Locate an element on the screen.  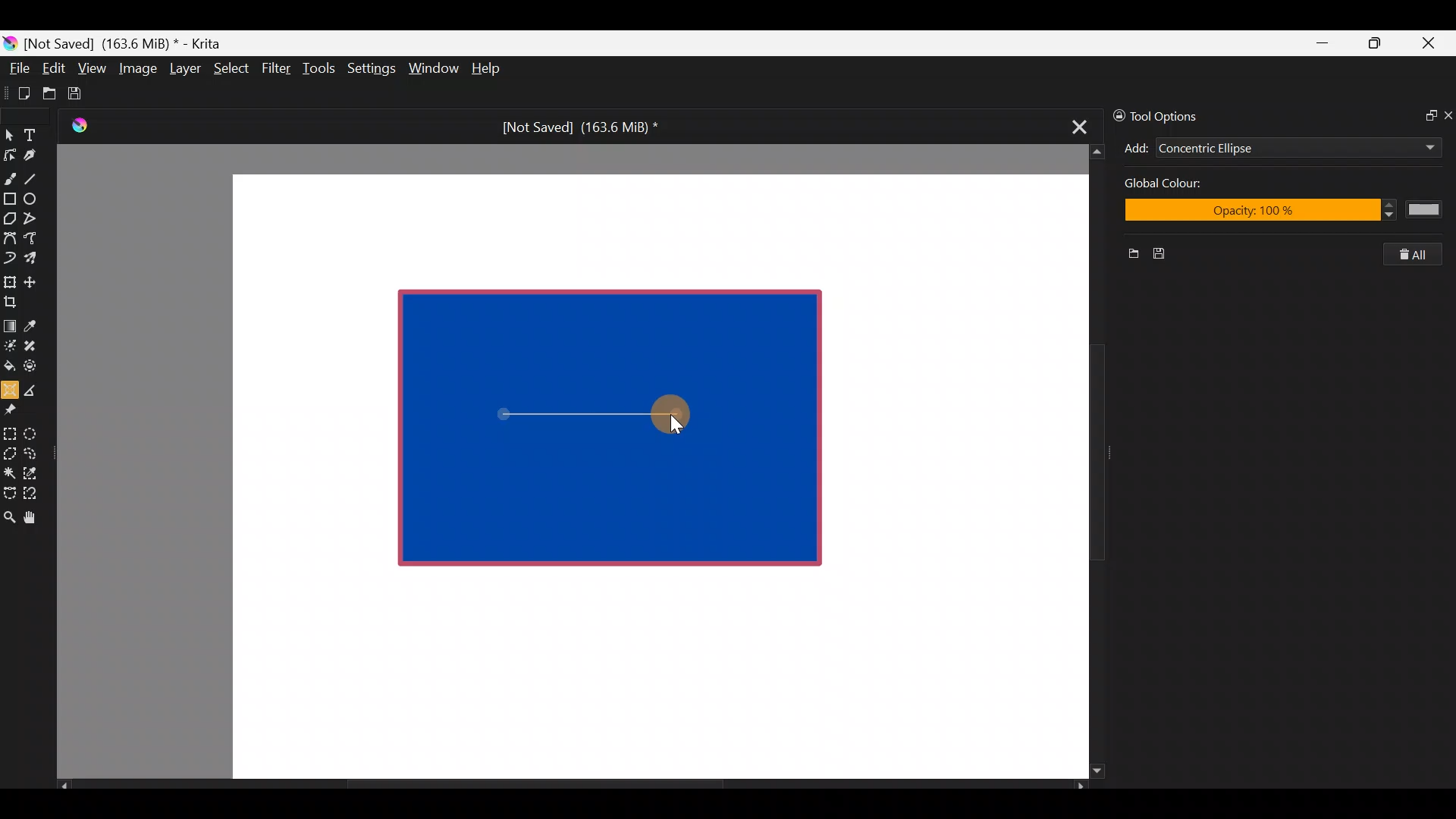
Select is located at coordinates (232, 67).